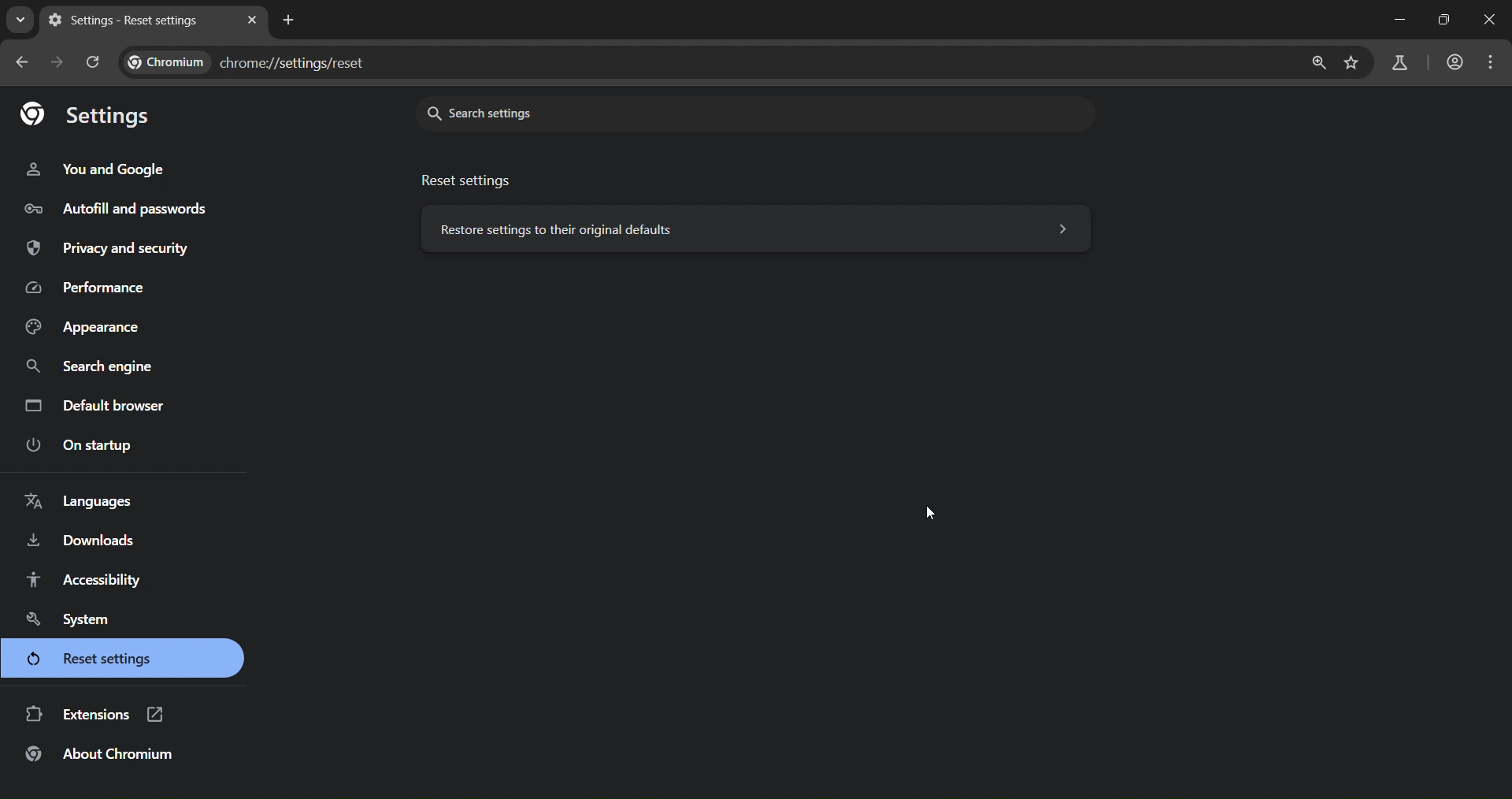  What do you see at coordinates (93, 60) in the screenshot?
I see `reload page` at bounding box center [93, 60].